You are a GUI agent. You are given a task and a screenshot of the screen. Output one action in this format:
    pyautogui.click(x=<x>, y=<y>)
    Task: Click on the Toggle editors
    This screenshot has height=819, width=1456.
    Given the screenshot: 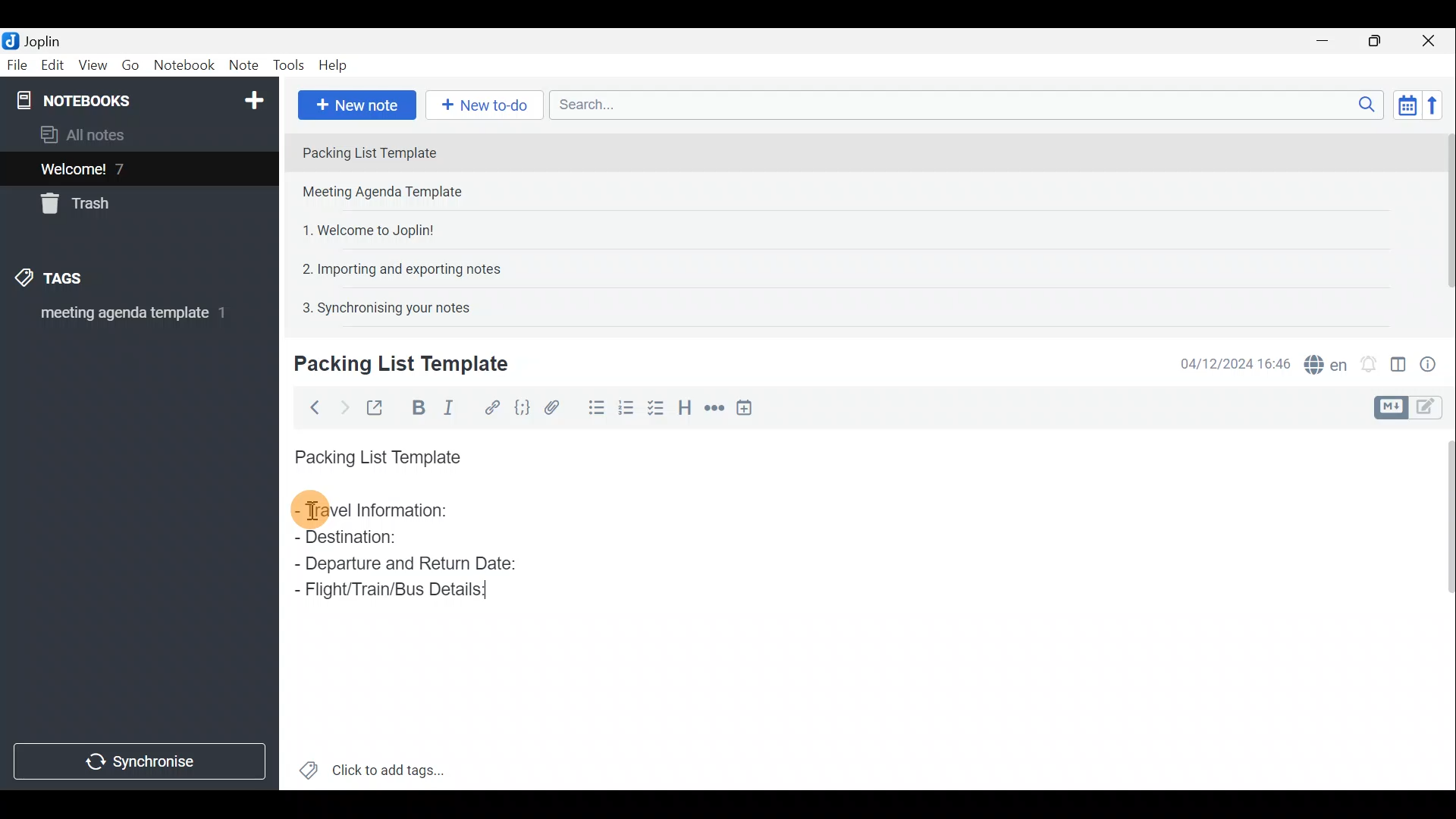 What is the action you would take?
    pyautogui.click(x=1433, y=409)
    